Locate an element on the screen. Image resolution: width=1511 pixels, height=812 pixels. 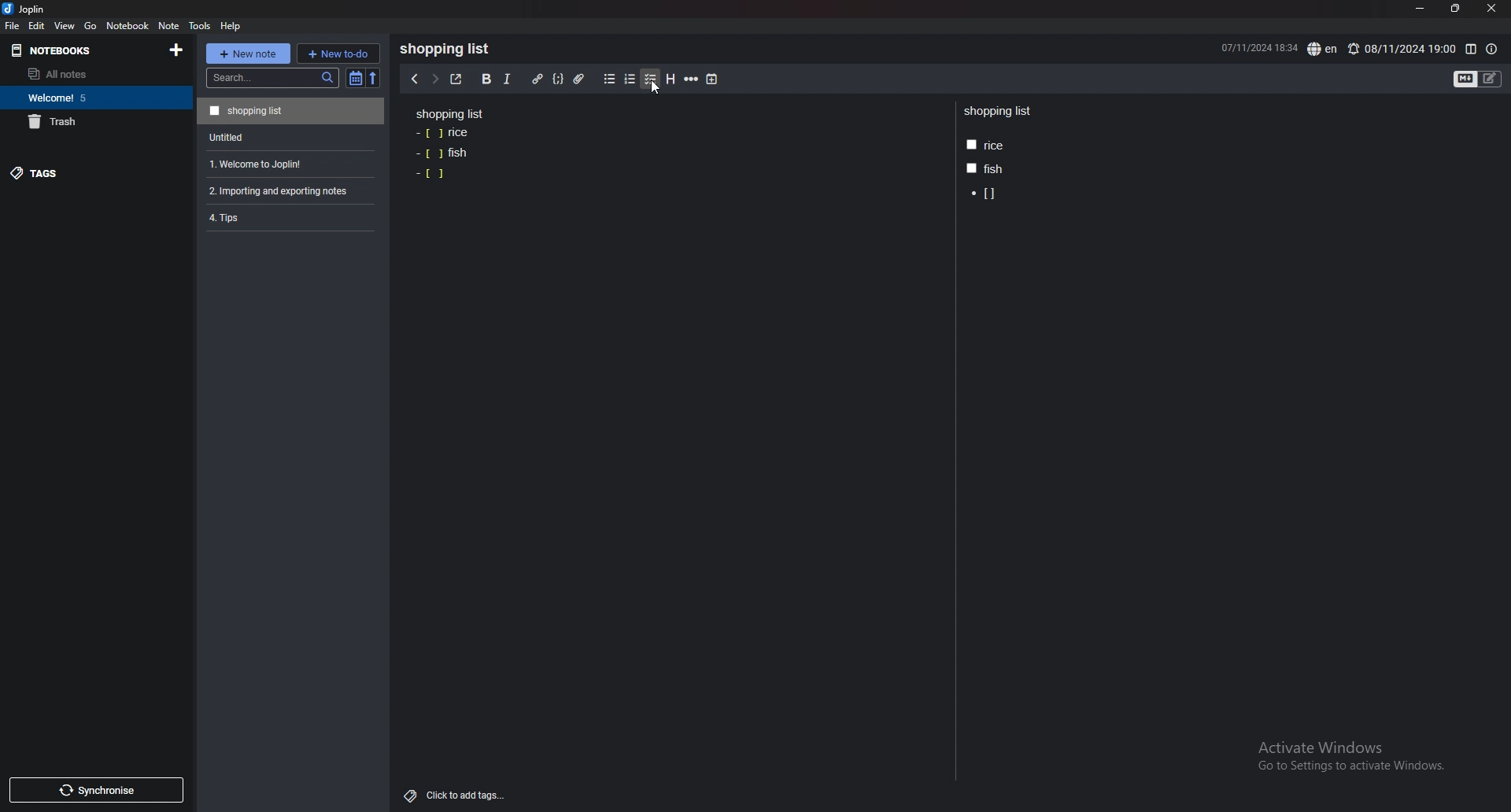
new note is located at coordinates (247, 54).